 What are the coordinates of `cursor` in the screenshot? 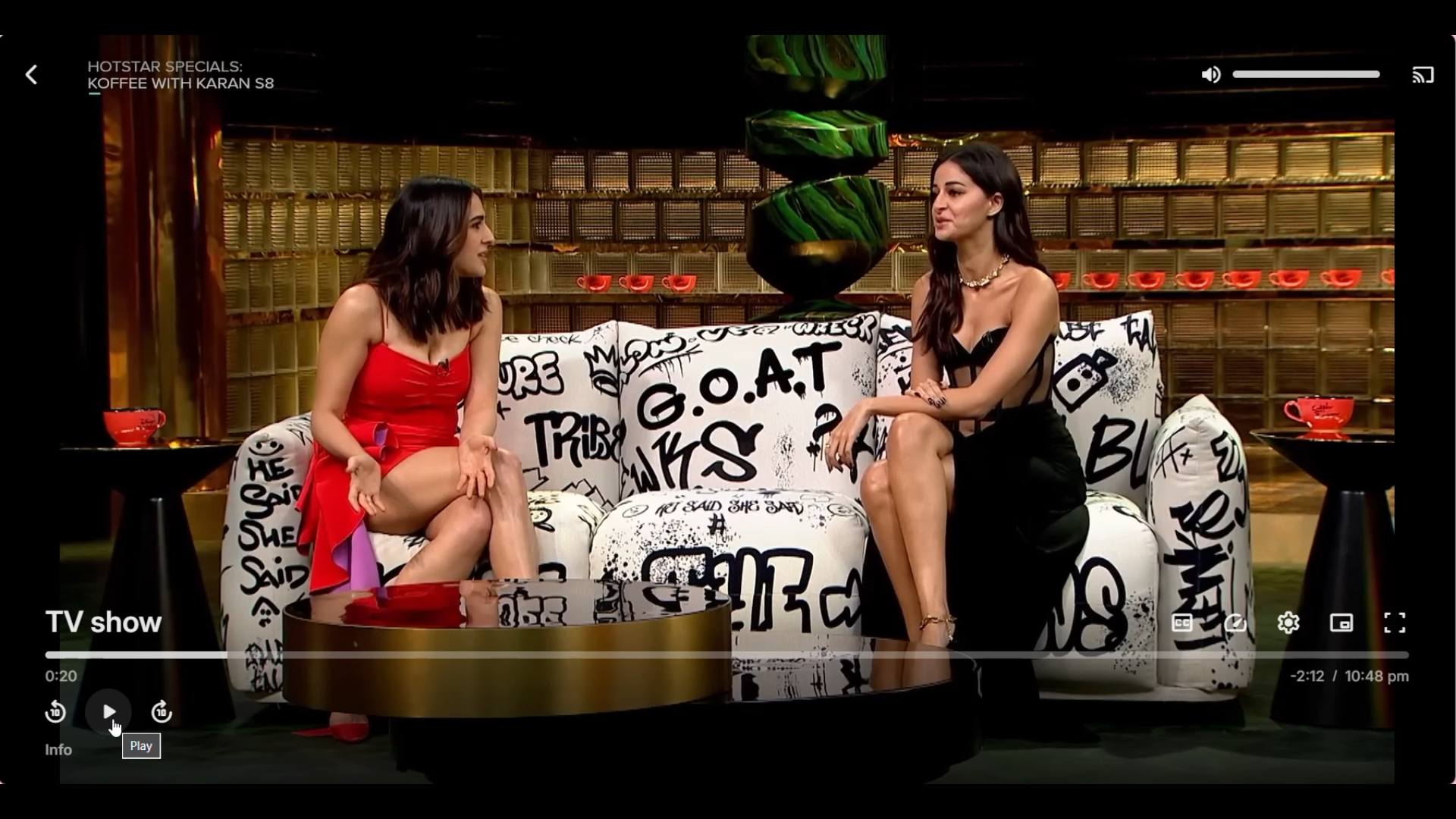 It's located at (120, 730).